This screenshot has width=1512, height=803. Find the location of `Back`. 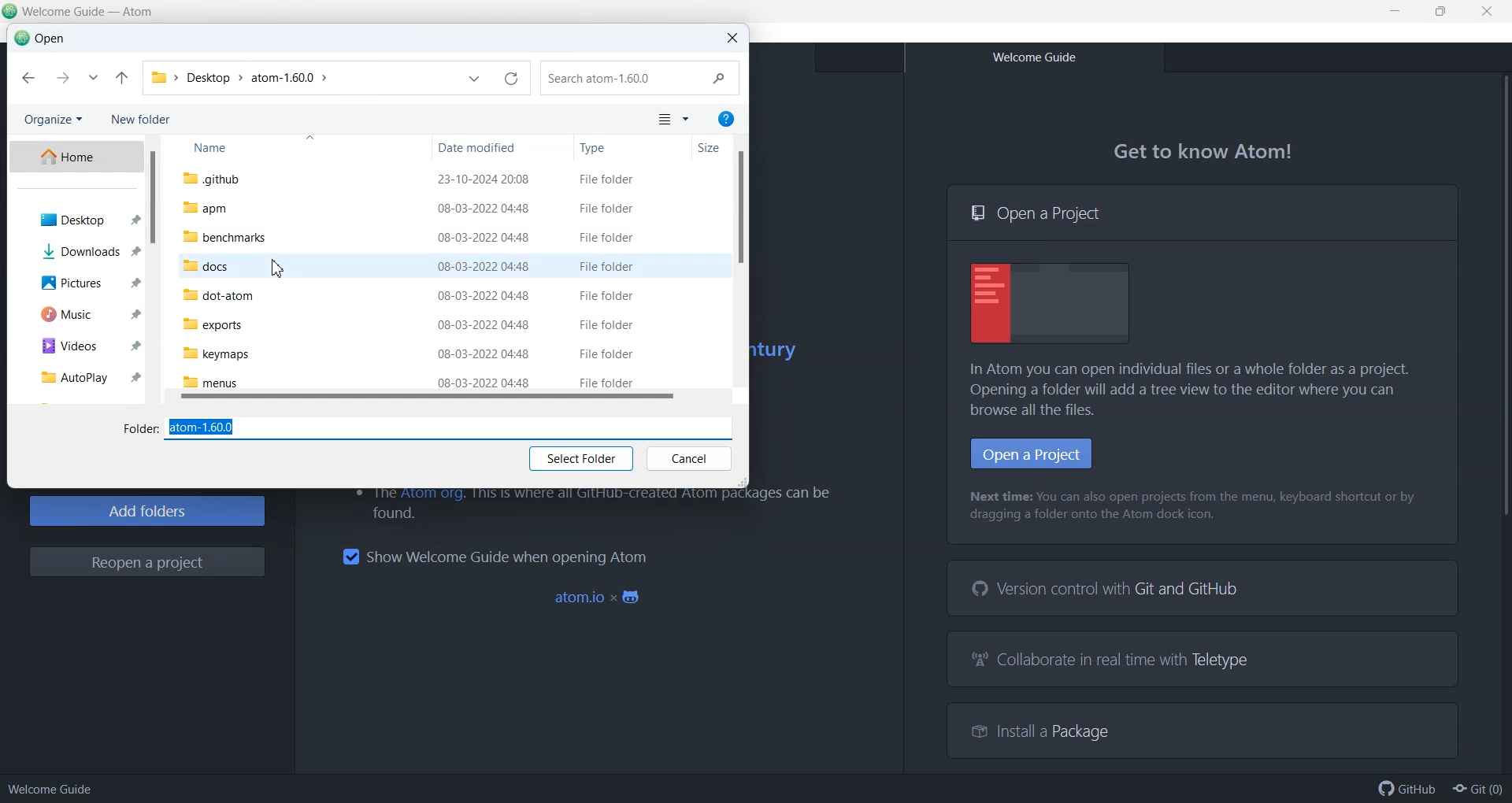

Back is located at coordinates (28, 79).